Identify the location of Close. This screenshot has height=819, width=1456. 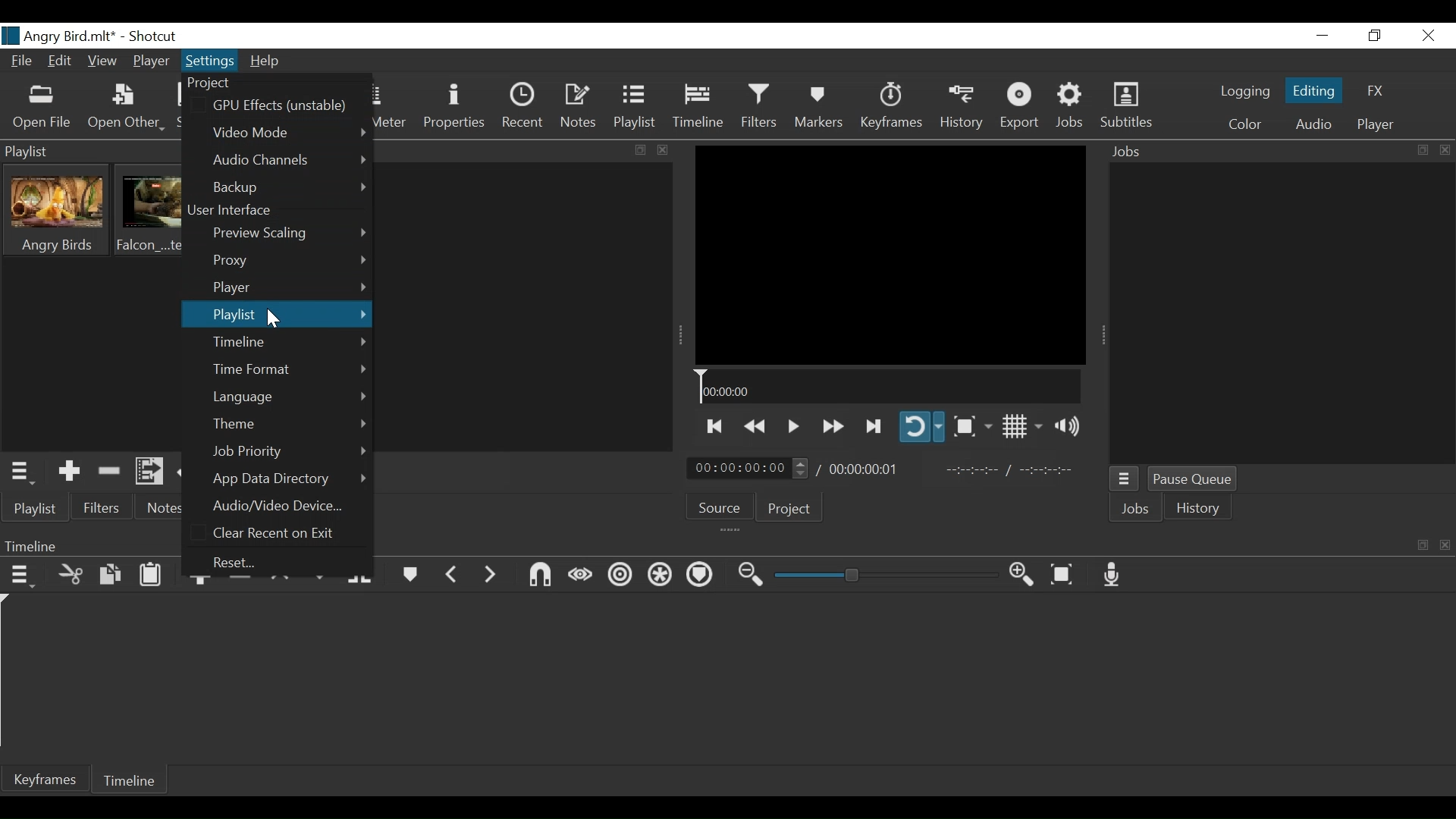
(1429, 36).